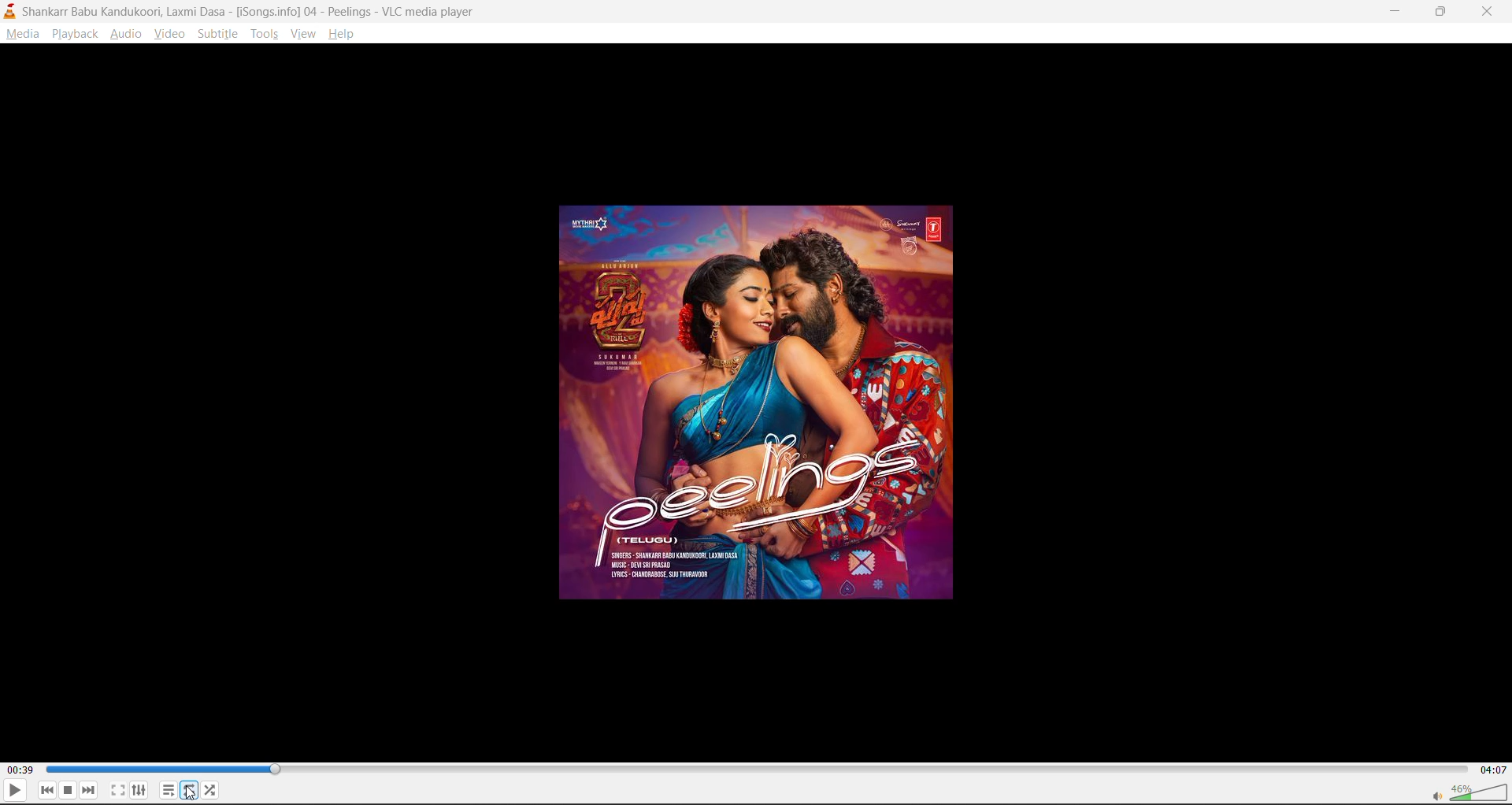 The width and height of the screenshot is (1512, 805). I want to click on view, so click(301, 35).